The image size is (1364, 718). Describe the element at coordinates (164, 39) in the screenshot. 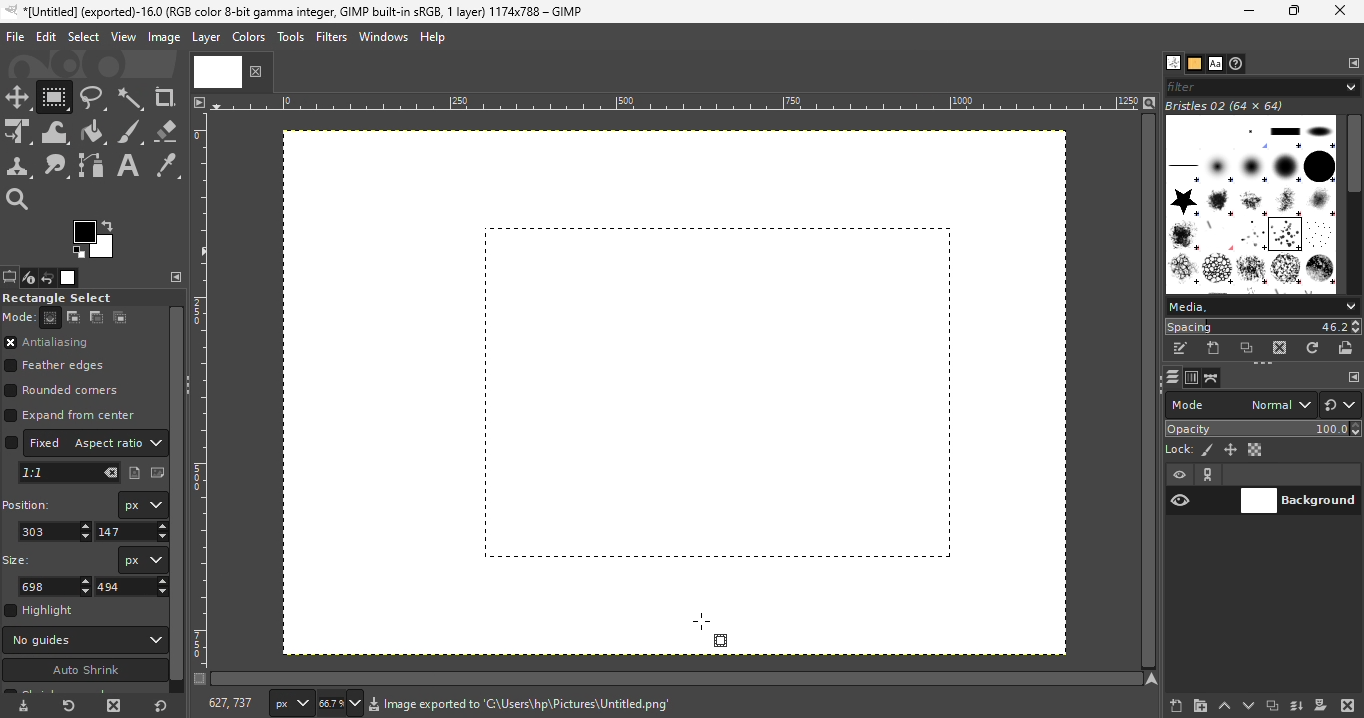

I see `Image` at that location.